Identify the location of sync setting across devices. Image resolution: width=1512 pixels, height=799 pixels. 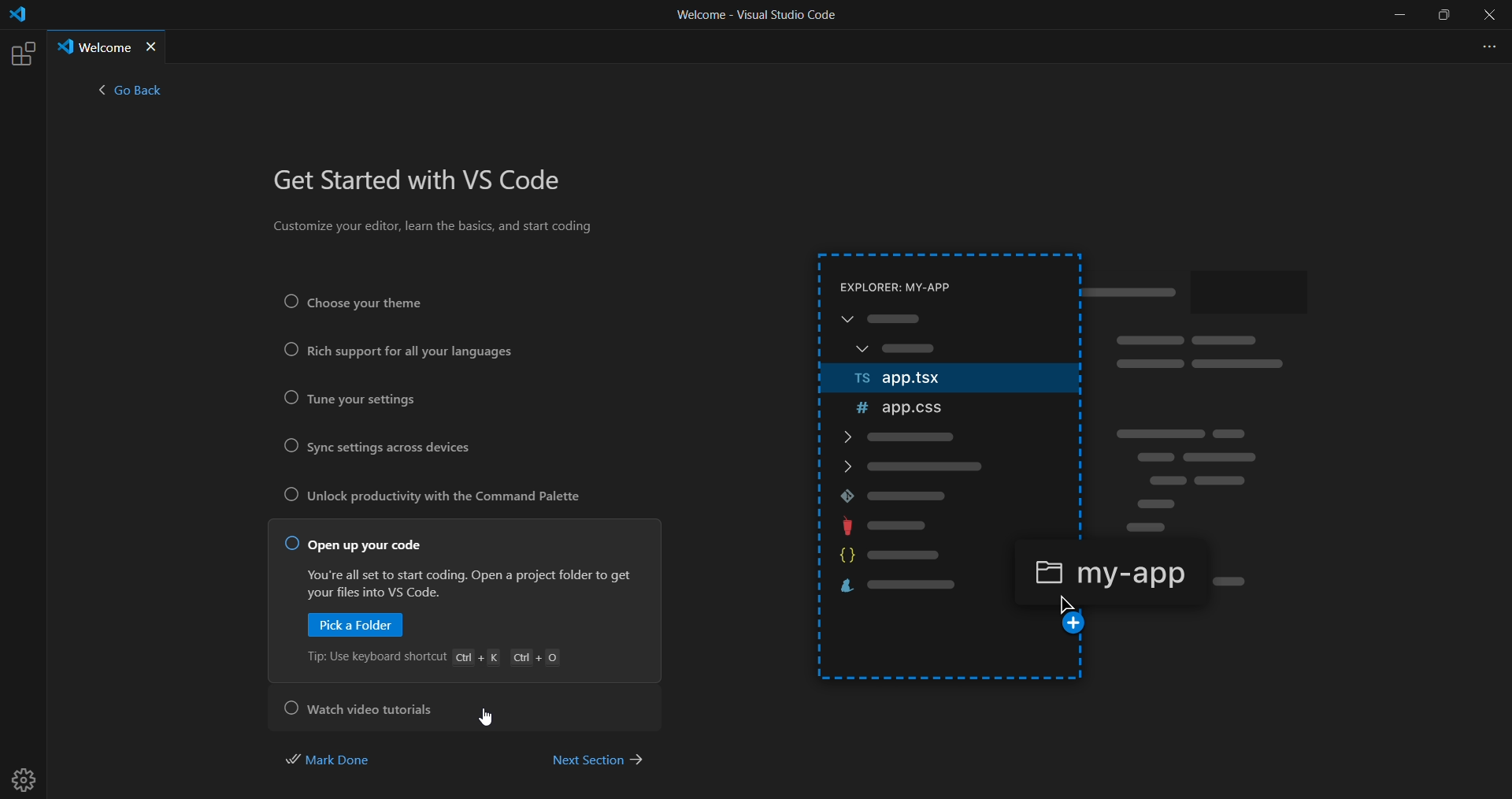
(391, 449).